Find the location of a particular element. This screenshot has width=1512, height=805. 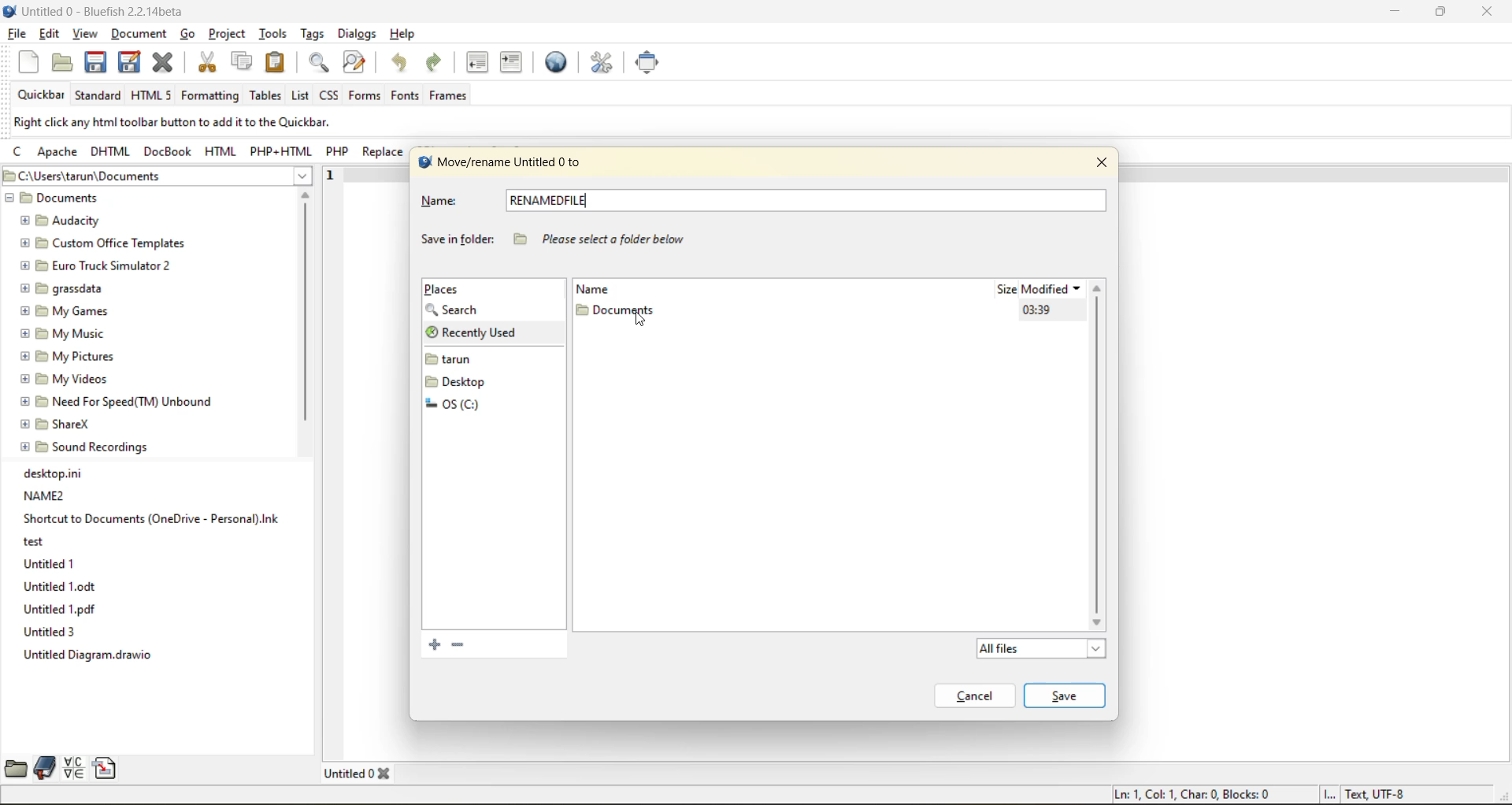

tags is located at coordinates (315, 35).